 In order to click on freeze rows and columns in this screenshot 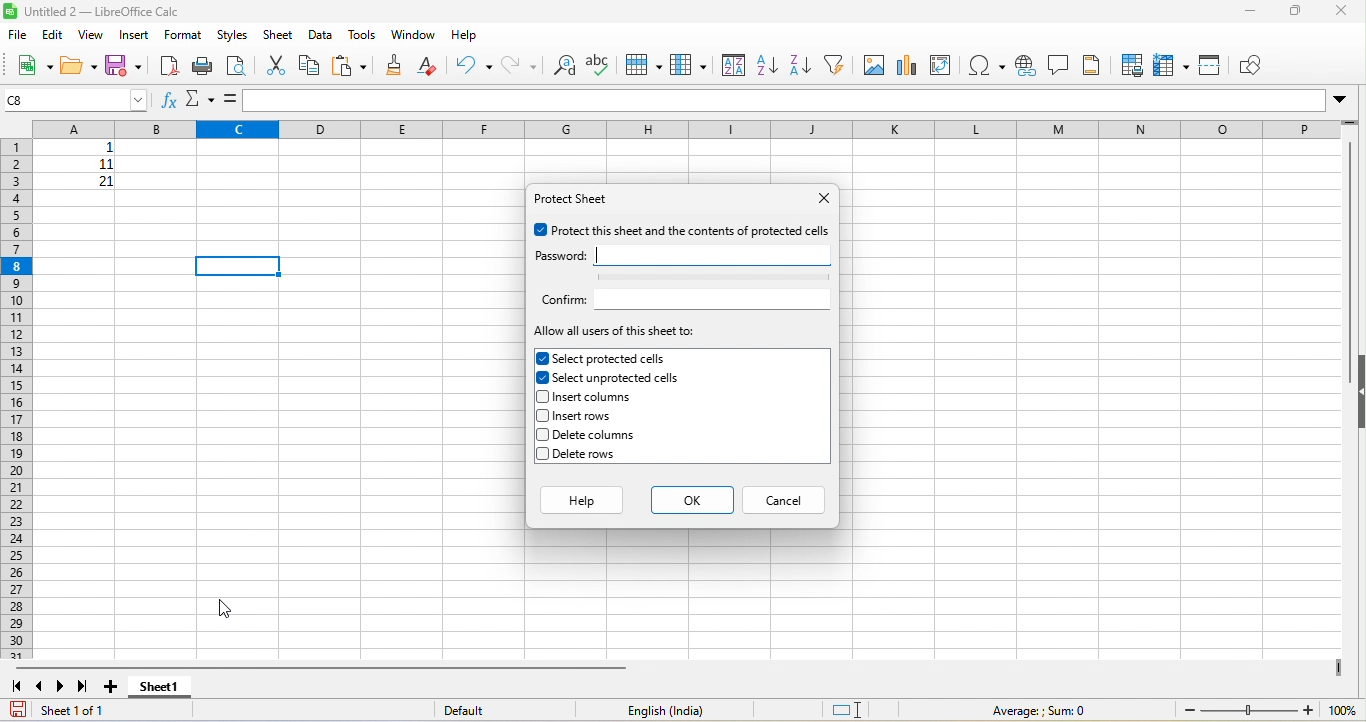, I will do `click(1170, 65)`.